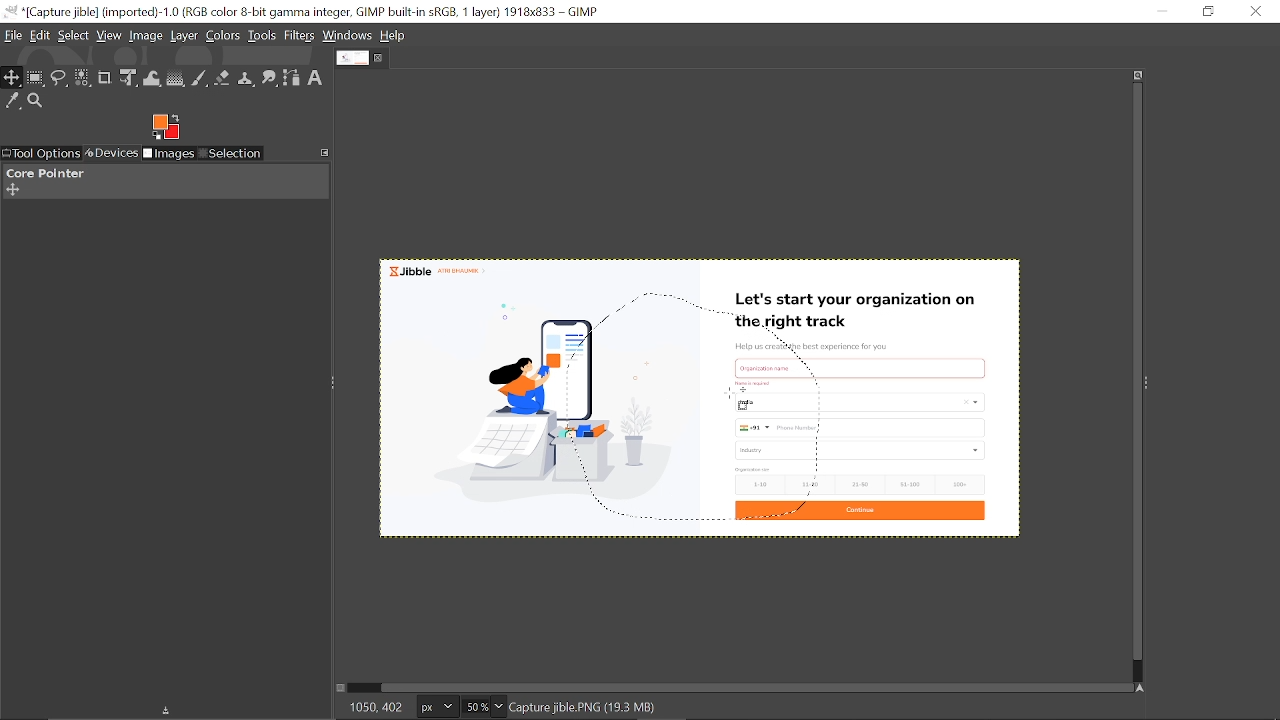 The height and width of the screenshot is (720, 1280). I want to click on Close, so click(1257, 11).